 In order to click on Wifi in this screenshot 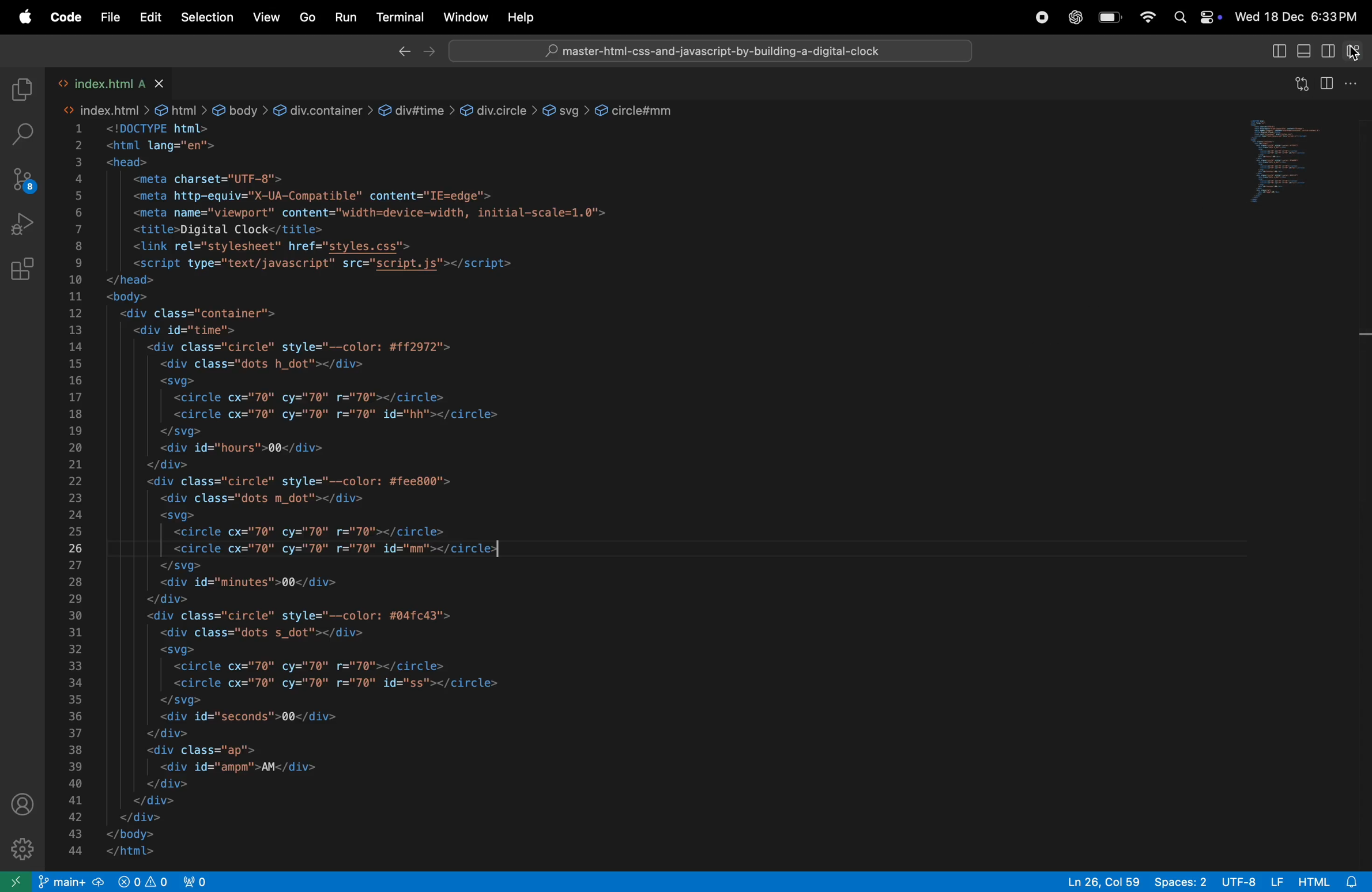, I will do `click(1147, 18)`.